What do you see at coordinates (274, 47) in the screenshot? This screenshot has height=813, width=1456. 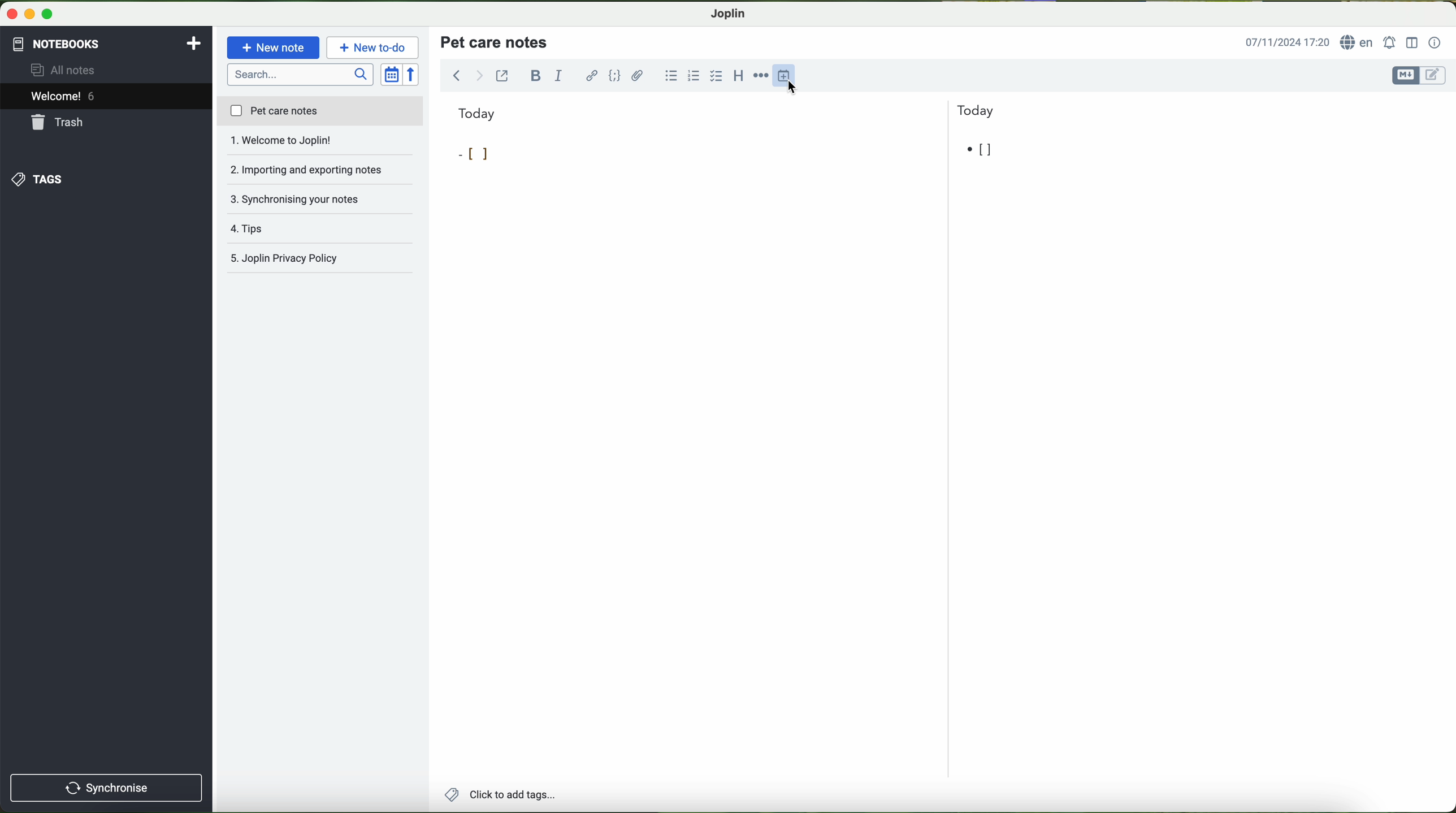 I see `new note button` at bounding box center [274, 47].